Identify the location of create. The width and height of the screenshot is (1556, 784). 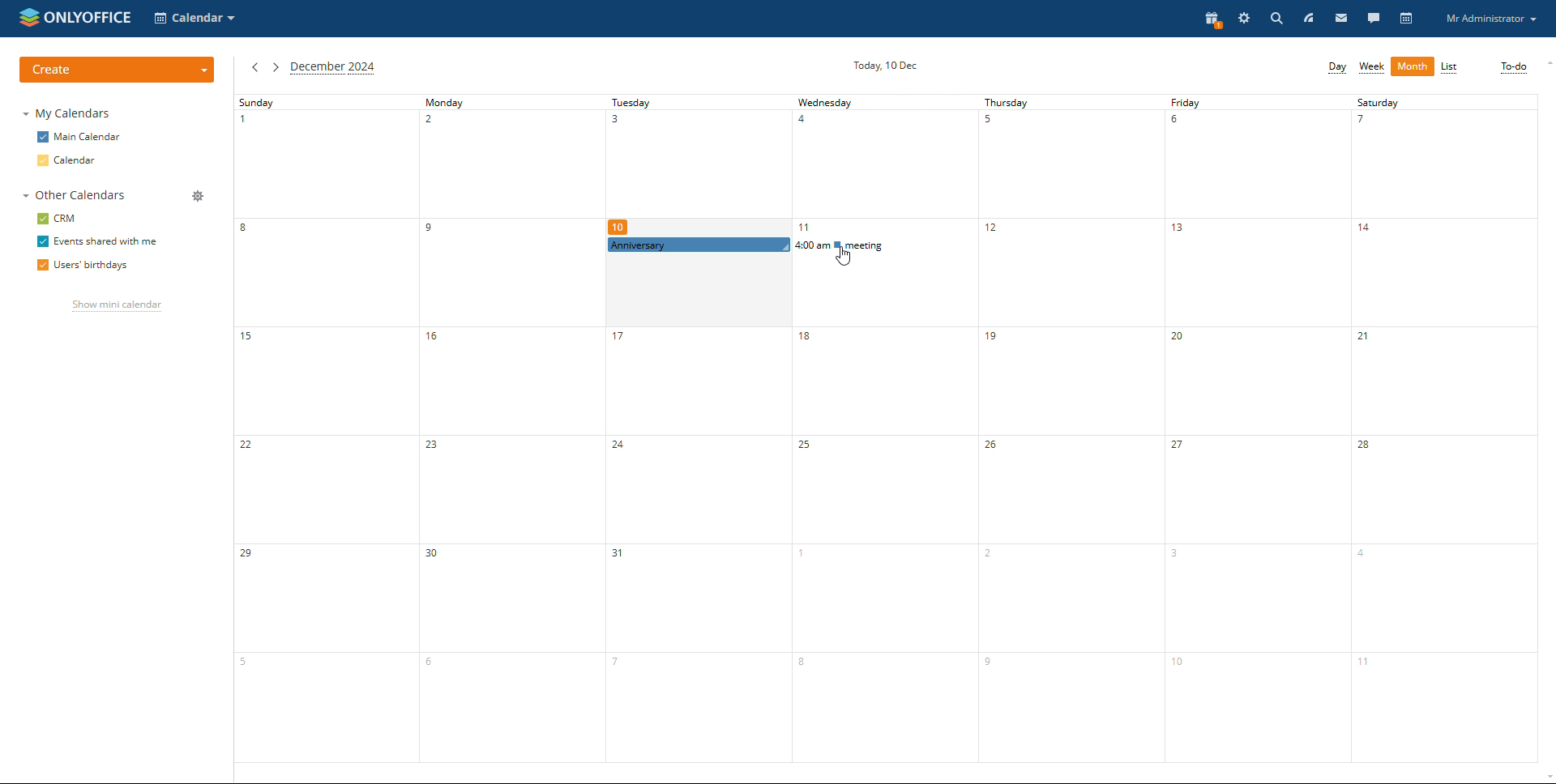
(120, 70).